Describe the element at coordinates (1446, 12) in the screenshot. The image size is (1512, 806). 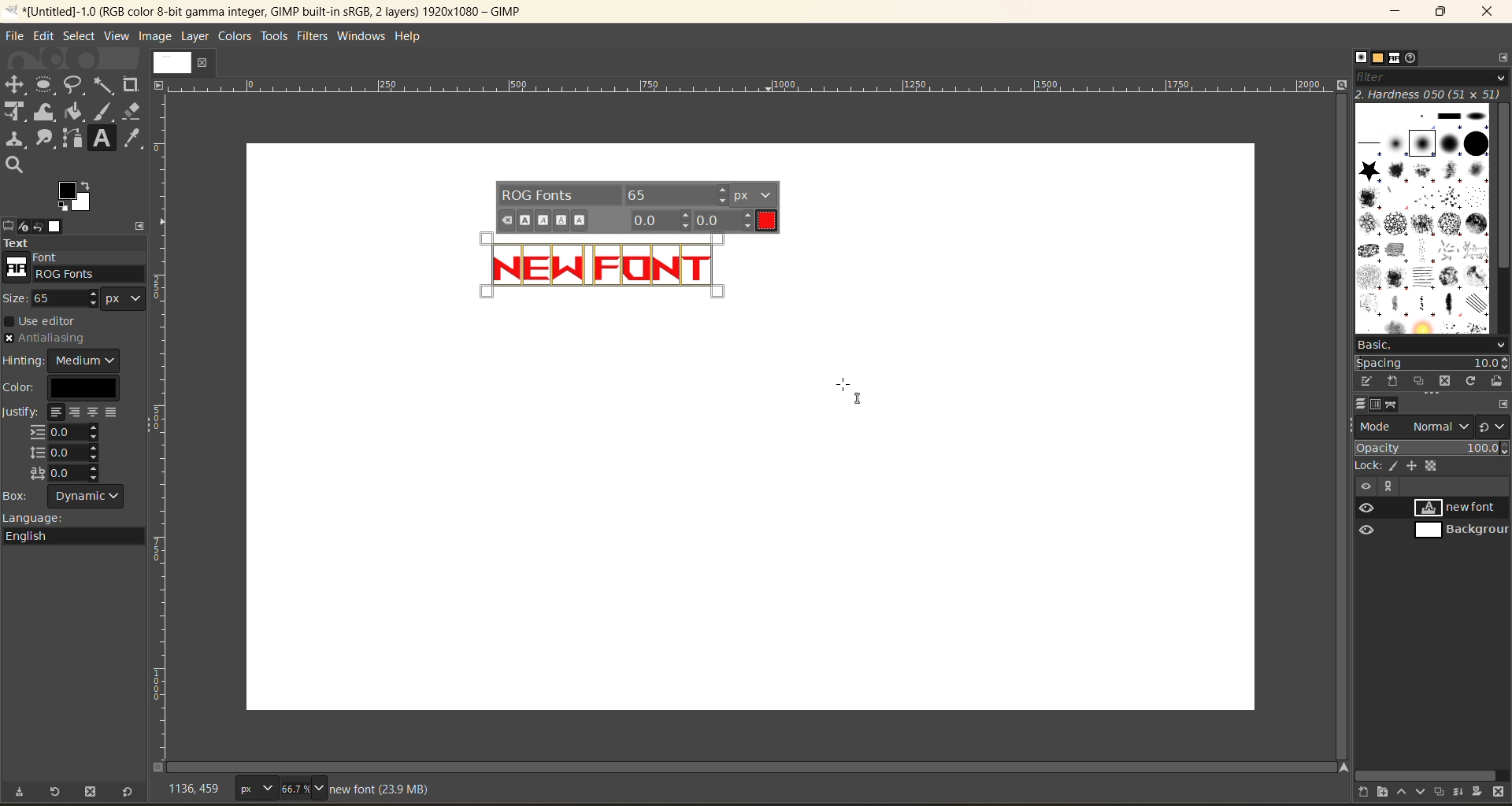
I see `maximize` at that location.